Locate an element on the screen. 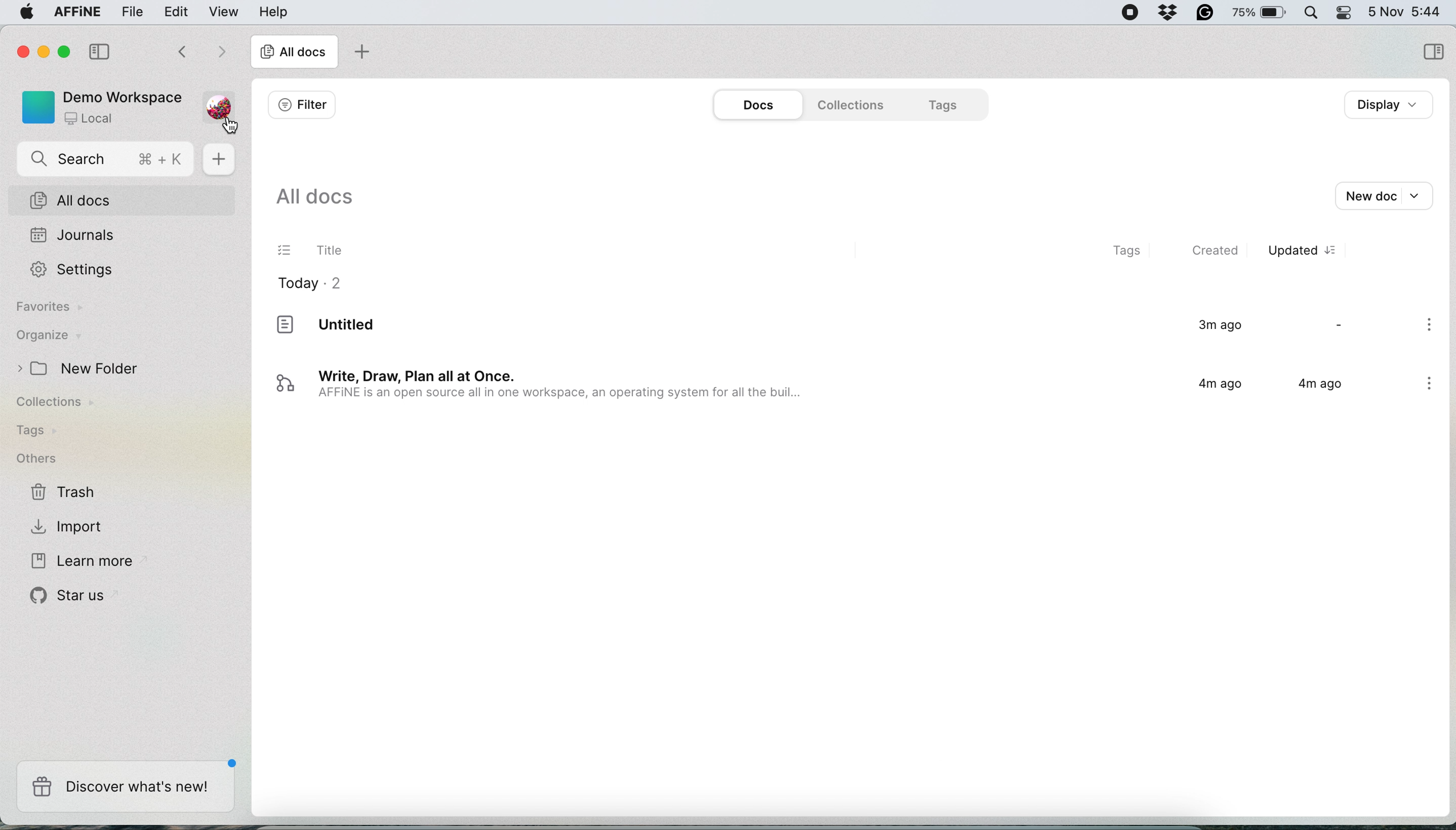 Image resolution: width=1456 pixels, height=830 pixels. control center is located at coordinates (1343, 13).